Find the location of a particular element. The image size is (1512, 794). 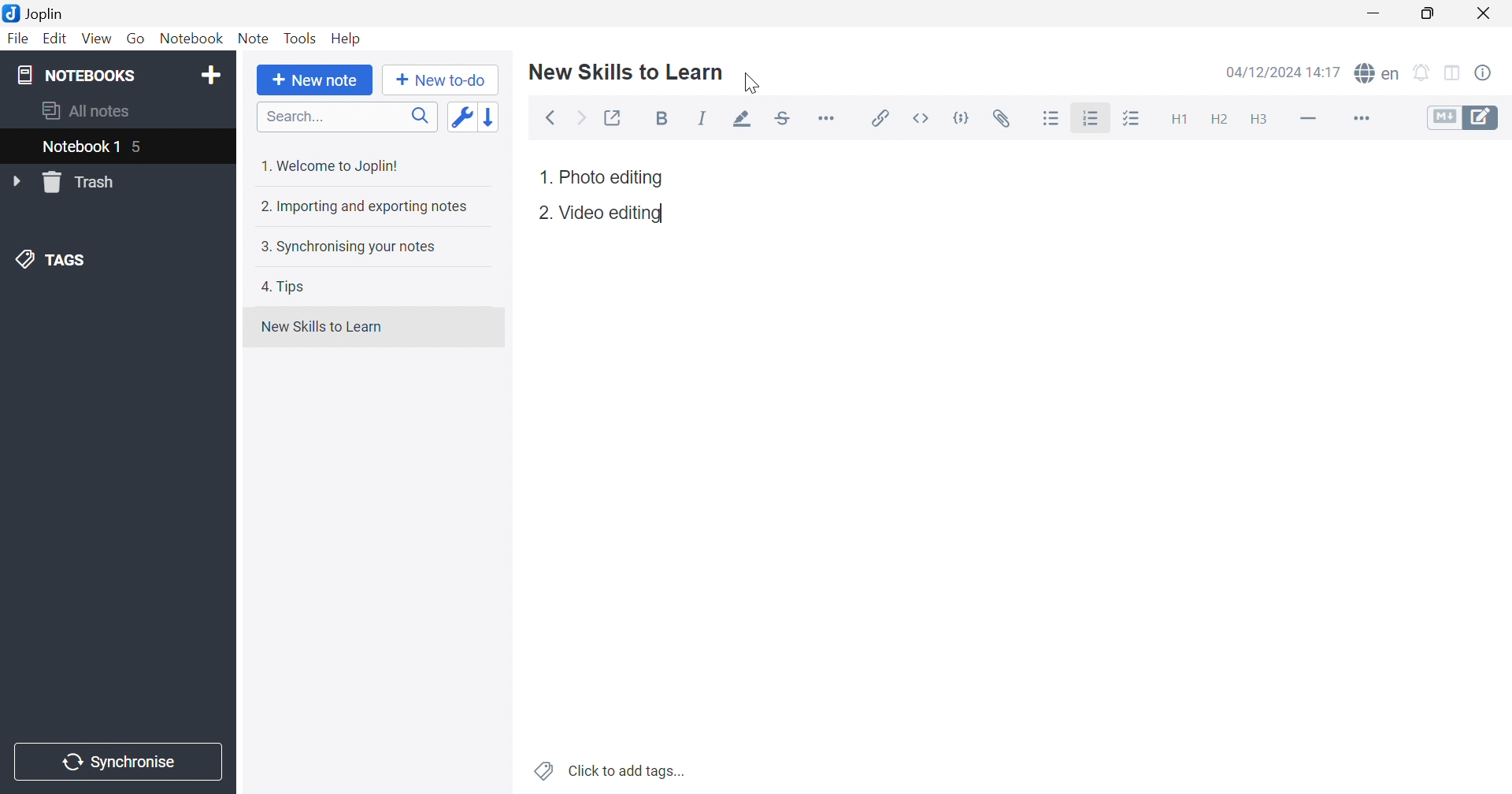

Highlight is located at coordinates (738, 121).